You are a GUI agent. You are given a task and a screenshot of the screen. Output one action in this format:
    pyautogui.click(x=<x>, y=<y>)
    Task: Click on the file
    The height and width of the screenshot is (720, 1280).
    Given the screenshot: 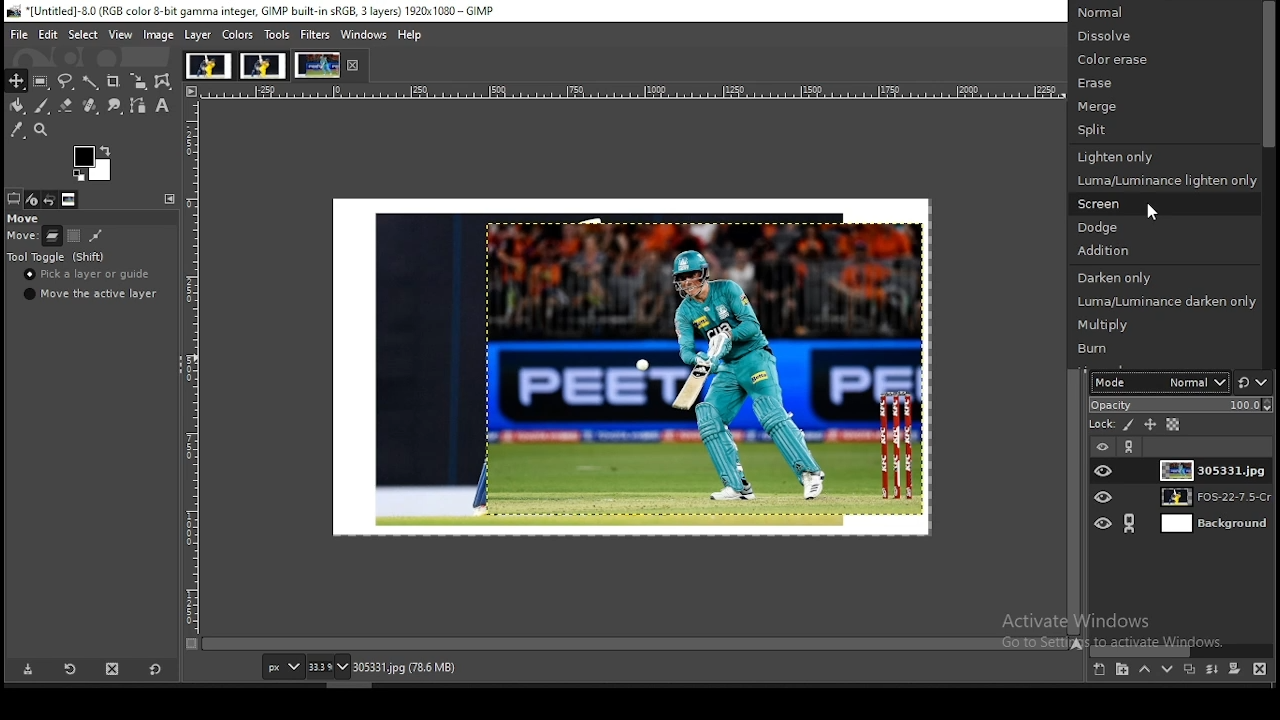 What is the action you would take?
    pyautogui.click(x=15, y=35)
    